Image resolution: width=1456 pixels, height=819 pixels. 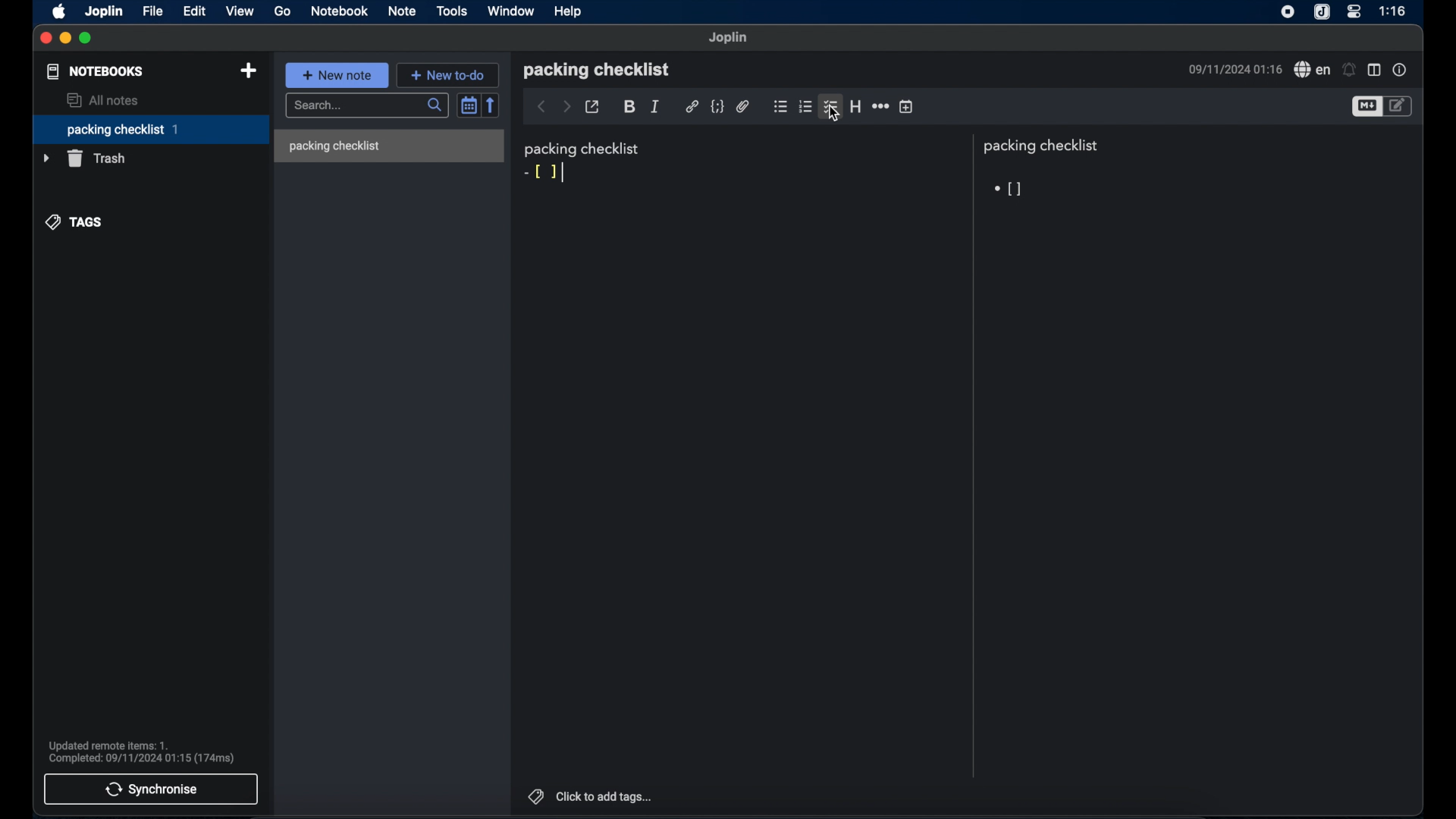 I want to click on reverse sort order, so click(x=491, y=105).